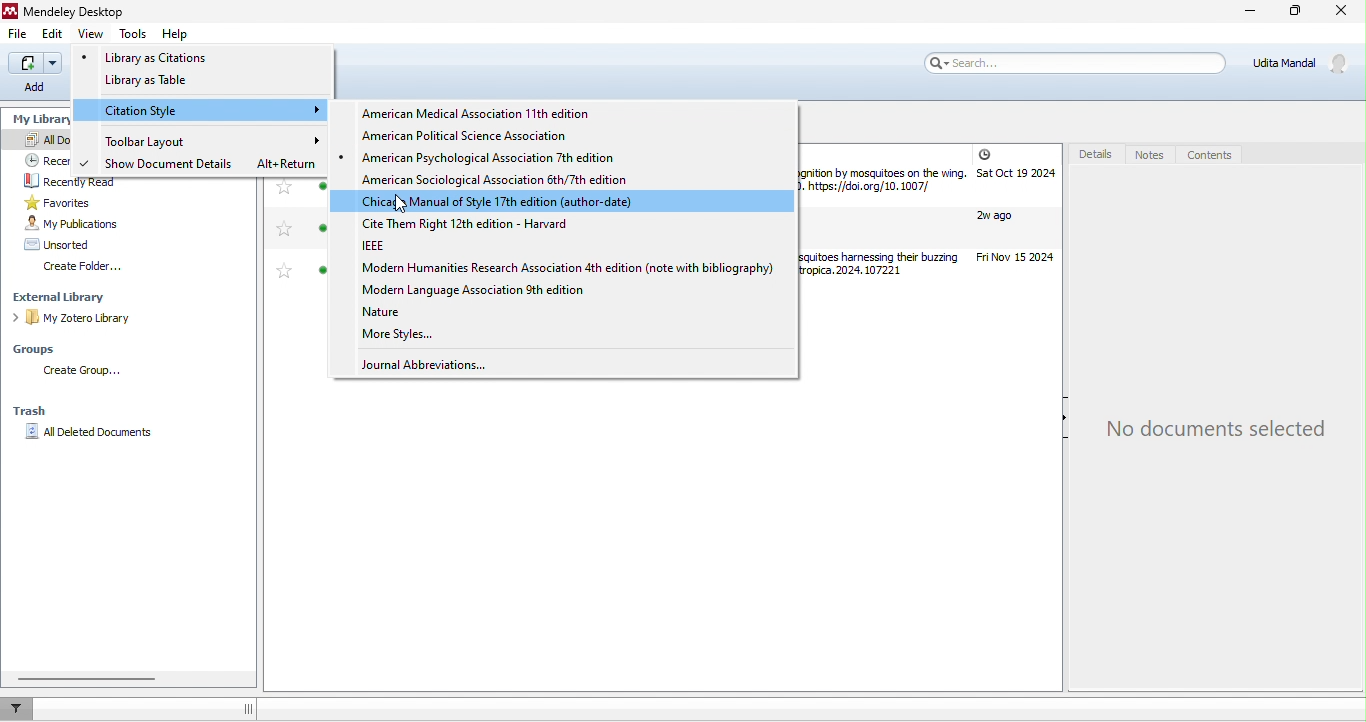 The width and height of the screenshot is (1366, 722). I want to click on cursor movement, so click(407, 206).